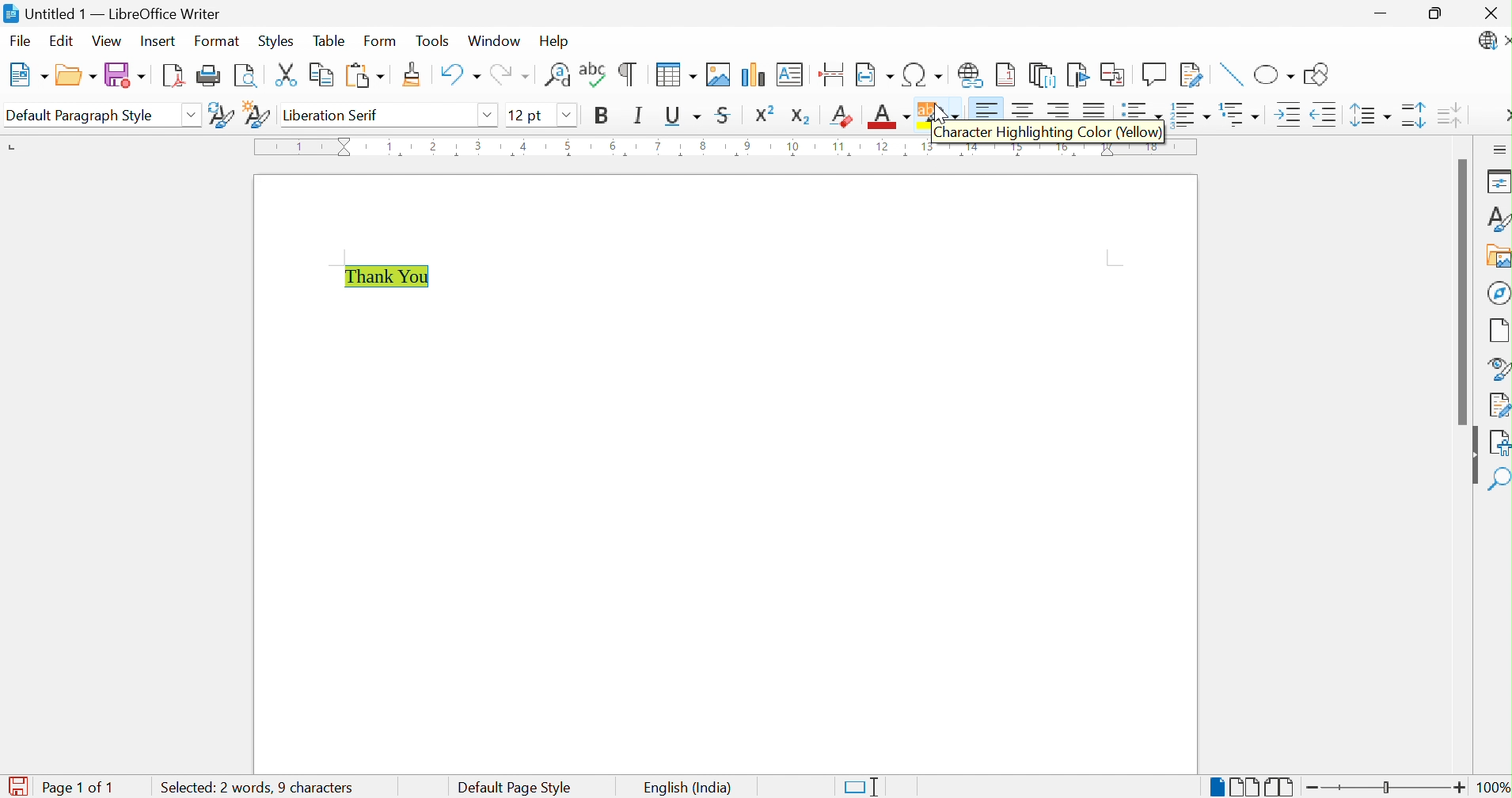 Image resolution: width=1512 pixels, height=798 pixels. I want to click on Open, so click(77, 74).